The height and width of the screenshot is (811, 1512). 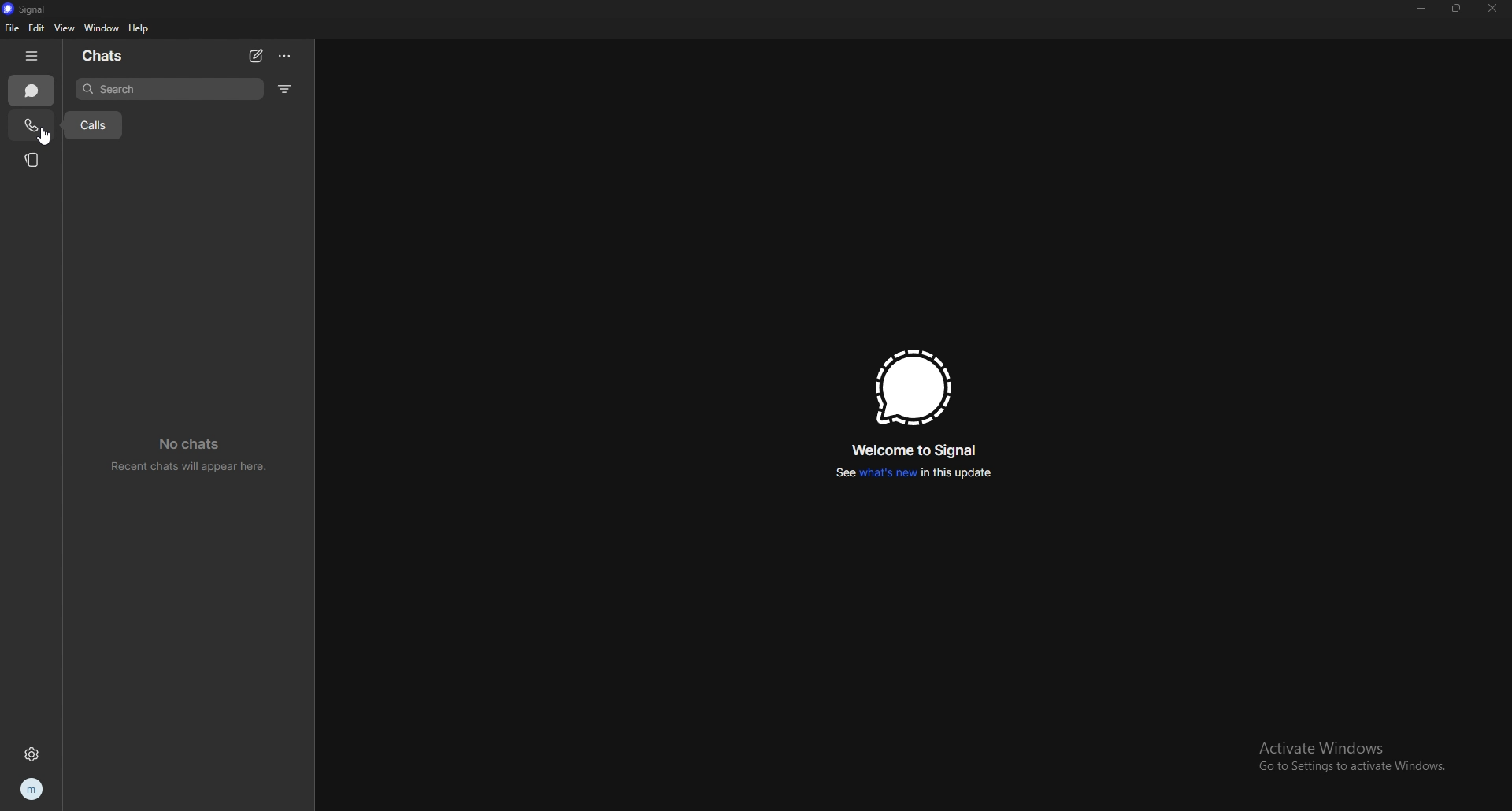 What do you see at coordinates (140, 28) in the screenshot?
I see `help` at bounding box center [140, 28].